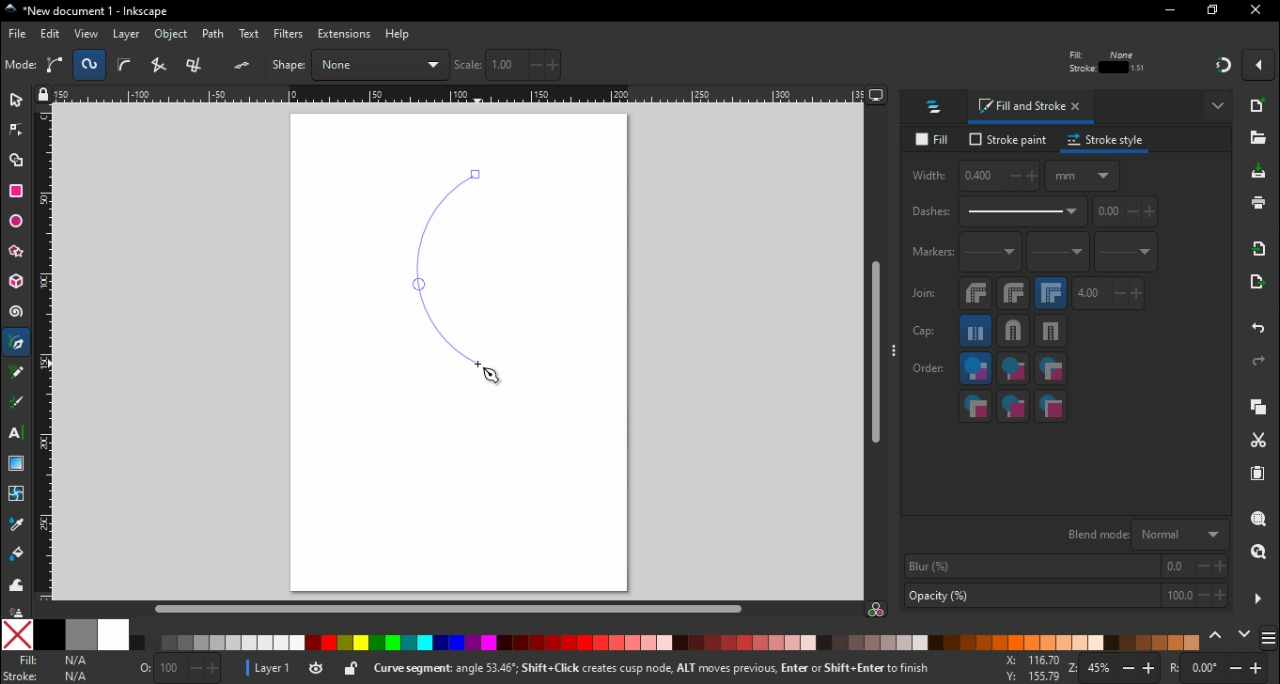  I want to click on order, so click(929, 370).